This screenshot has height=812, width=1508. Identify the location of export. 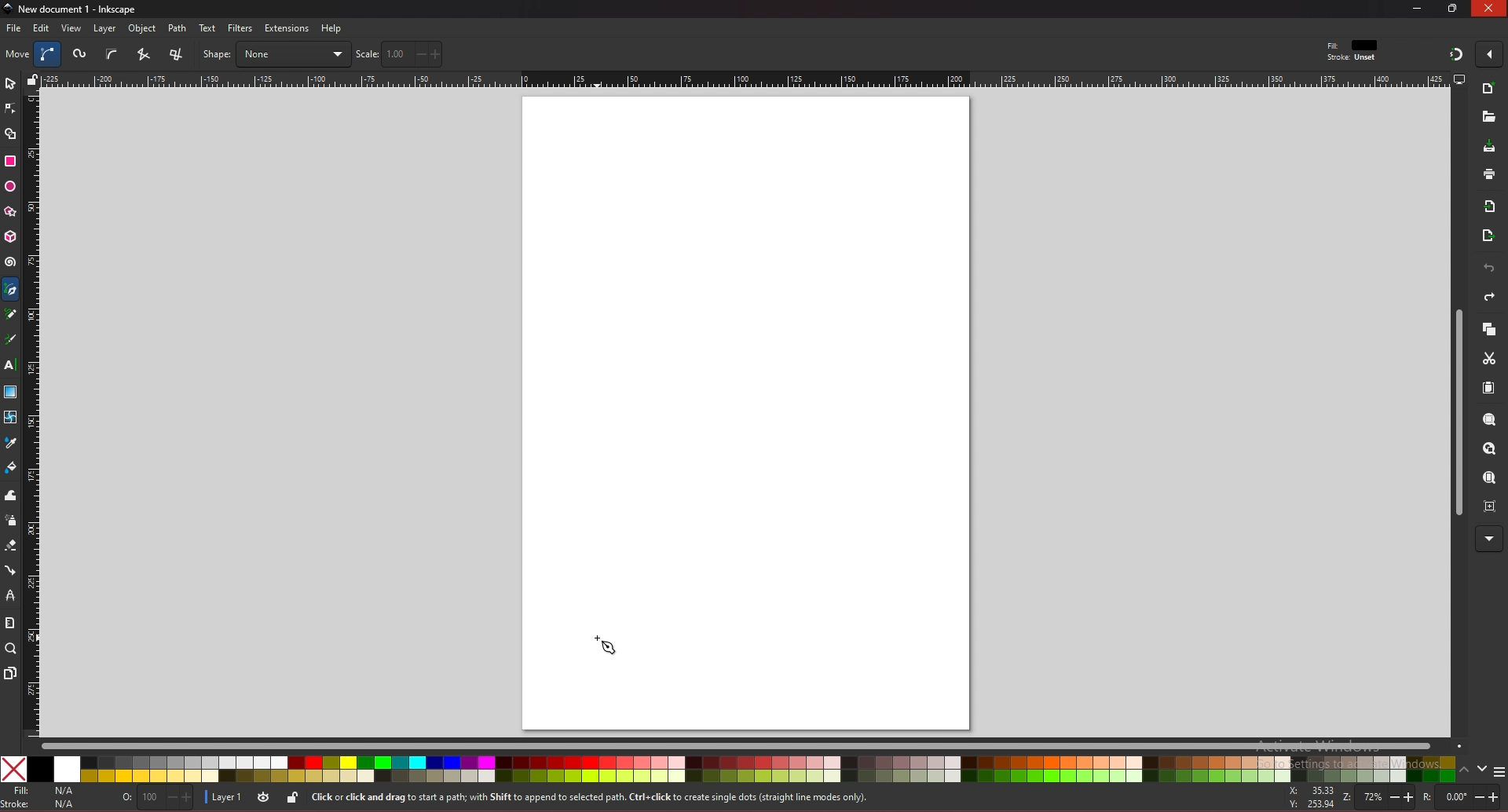
(1488, 236).